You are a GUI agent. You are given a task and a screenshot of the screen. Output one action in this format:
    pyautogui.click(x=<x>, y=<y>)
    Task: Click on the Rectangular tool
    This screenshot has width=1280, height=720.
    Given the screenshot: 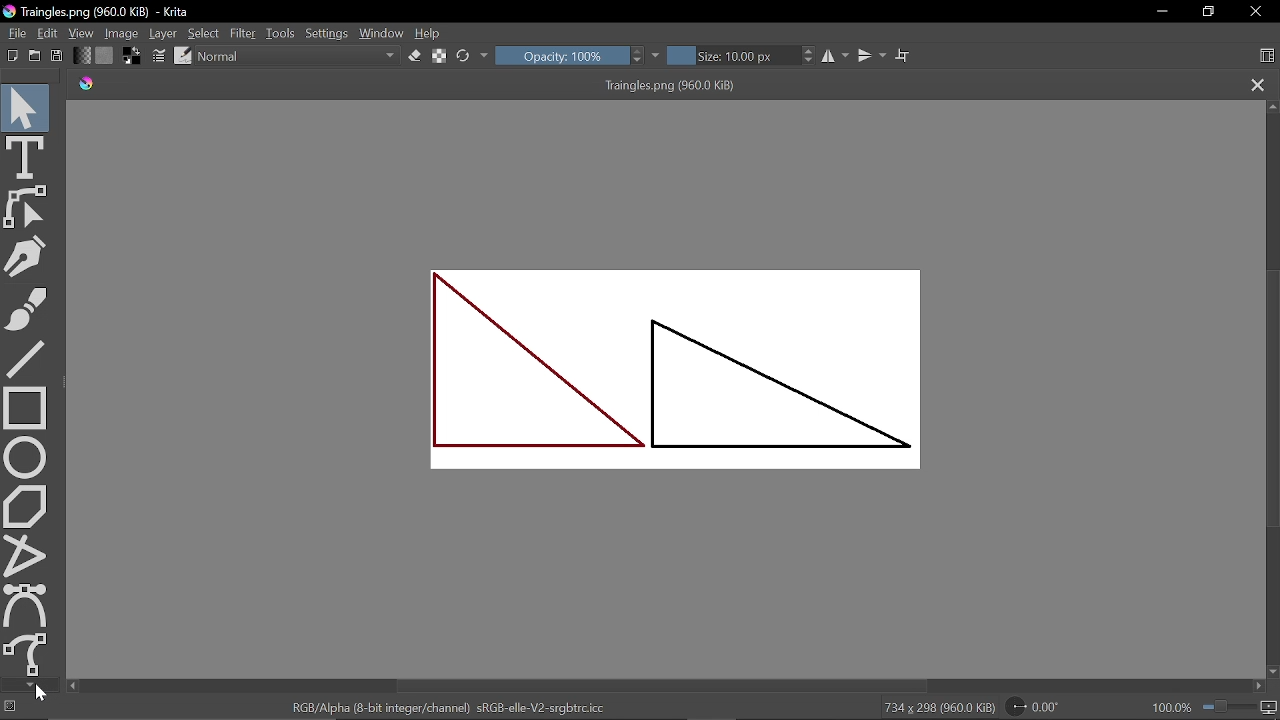 What is the action you would take?
    pyautogui.click(x=25, y=407)
    